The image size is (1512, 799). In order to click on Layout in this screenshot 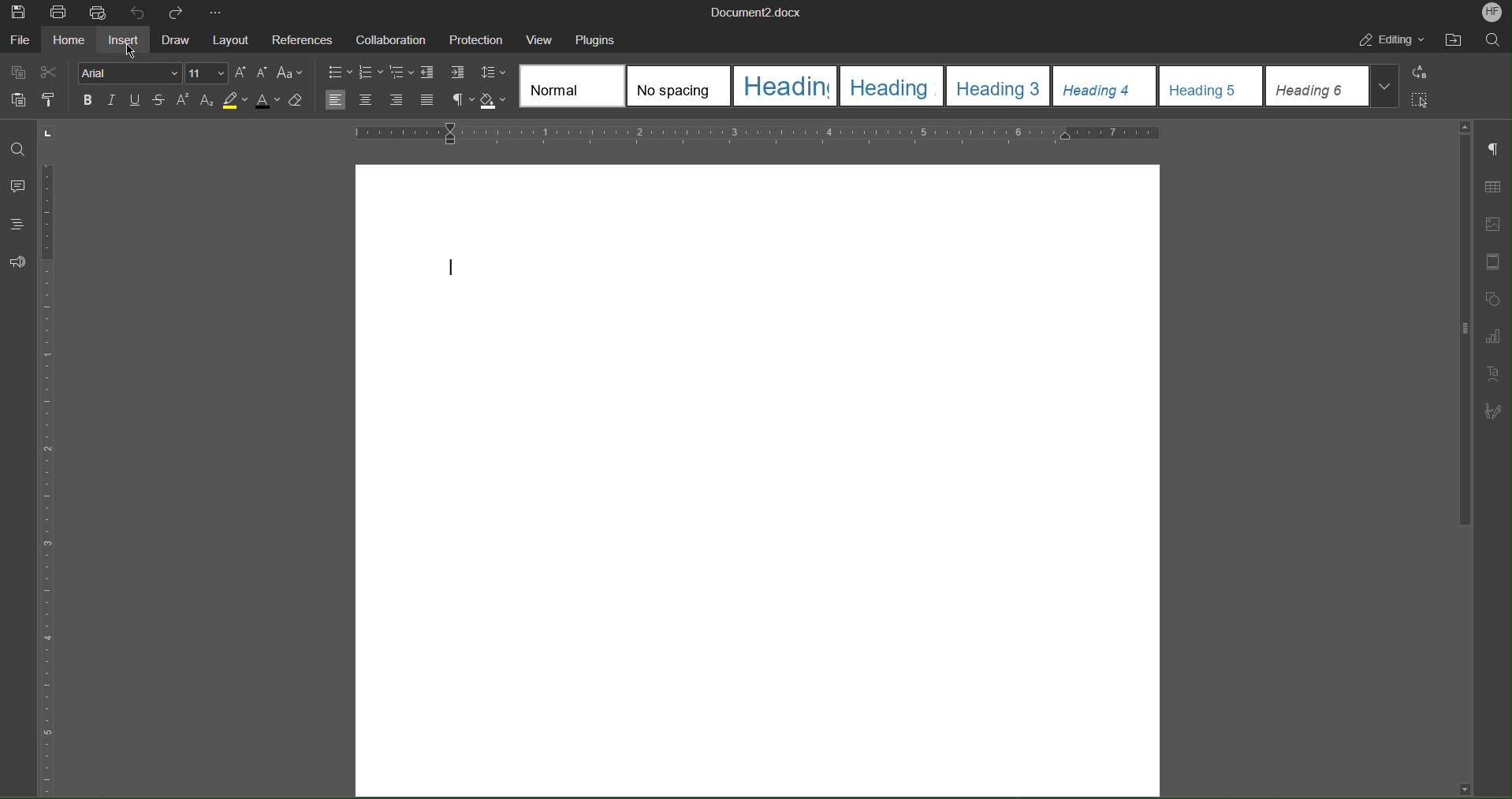, I will do `click(229, 39)`.